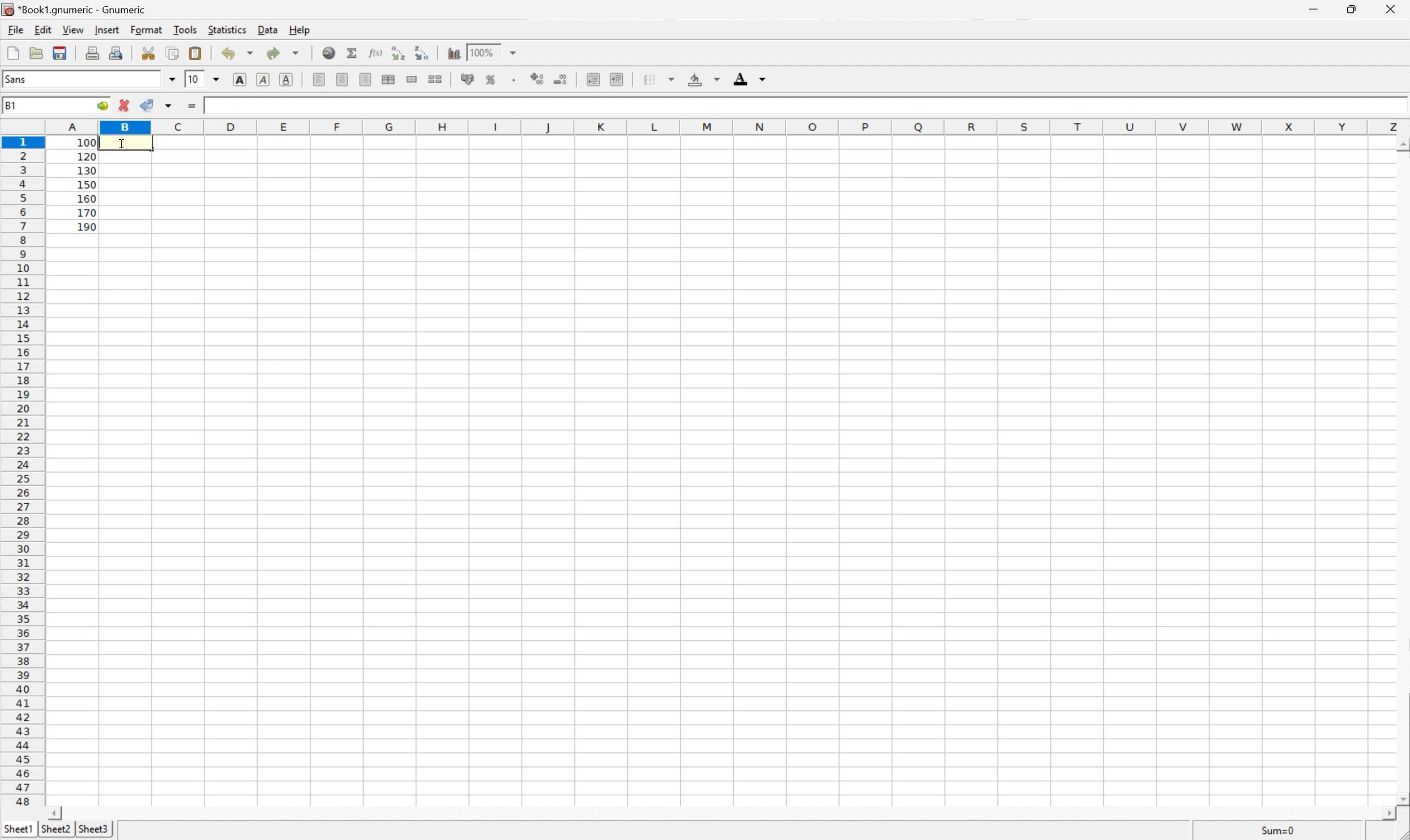  What do you see at coordinates (219, 104) in the screenshot?
I see `100` at bounding box center [219, 104].